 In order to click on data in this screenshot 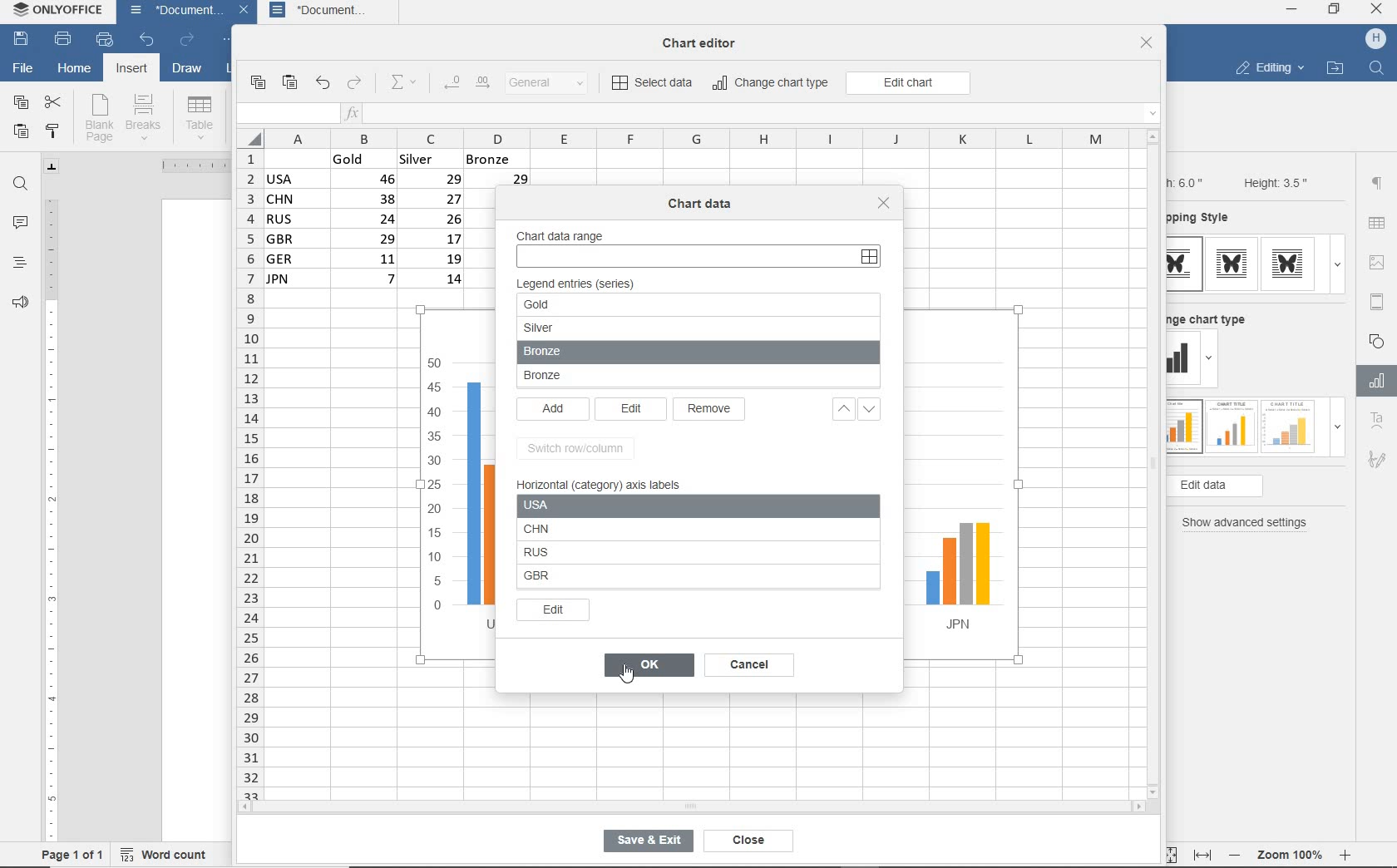, I will do `click(405, 224)`.